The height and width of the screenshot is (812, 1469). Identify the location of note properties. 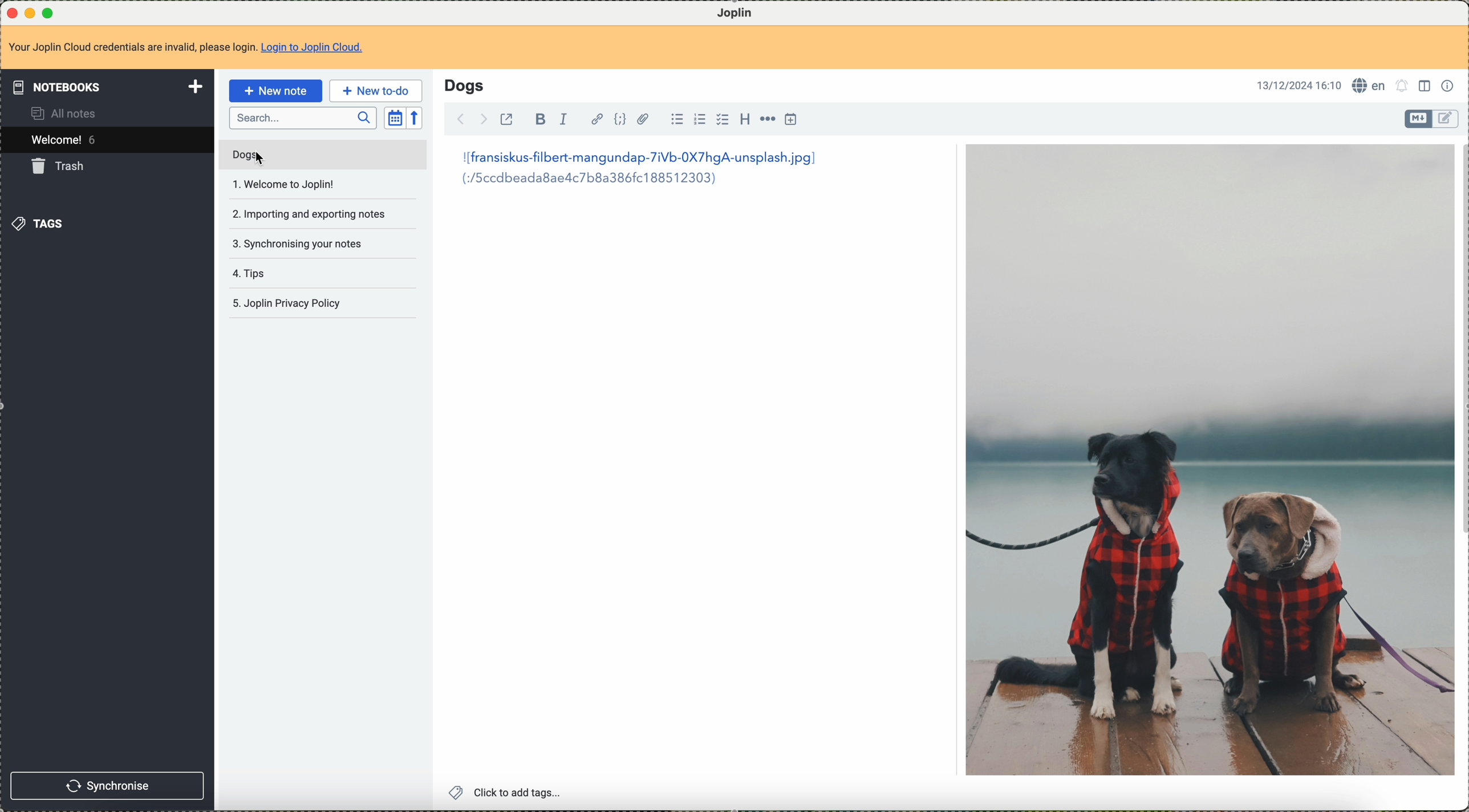
(1450, 87).